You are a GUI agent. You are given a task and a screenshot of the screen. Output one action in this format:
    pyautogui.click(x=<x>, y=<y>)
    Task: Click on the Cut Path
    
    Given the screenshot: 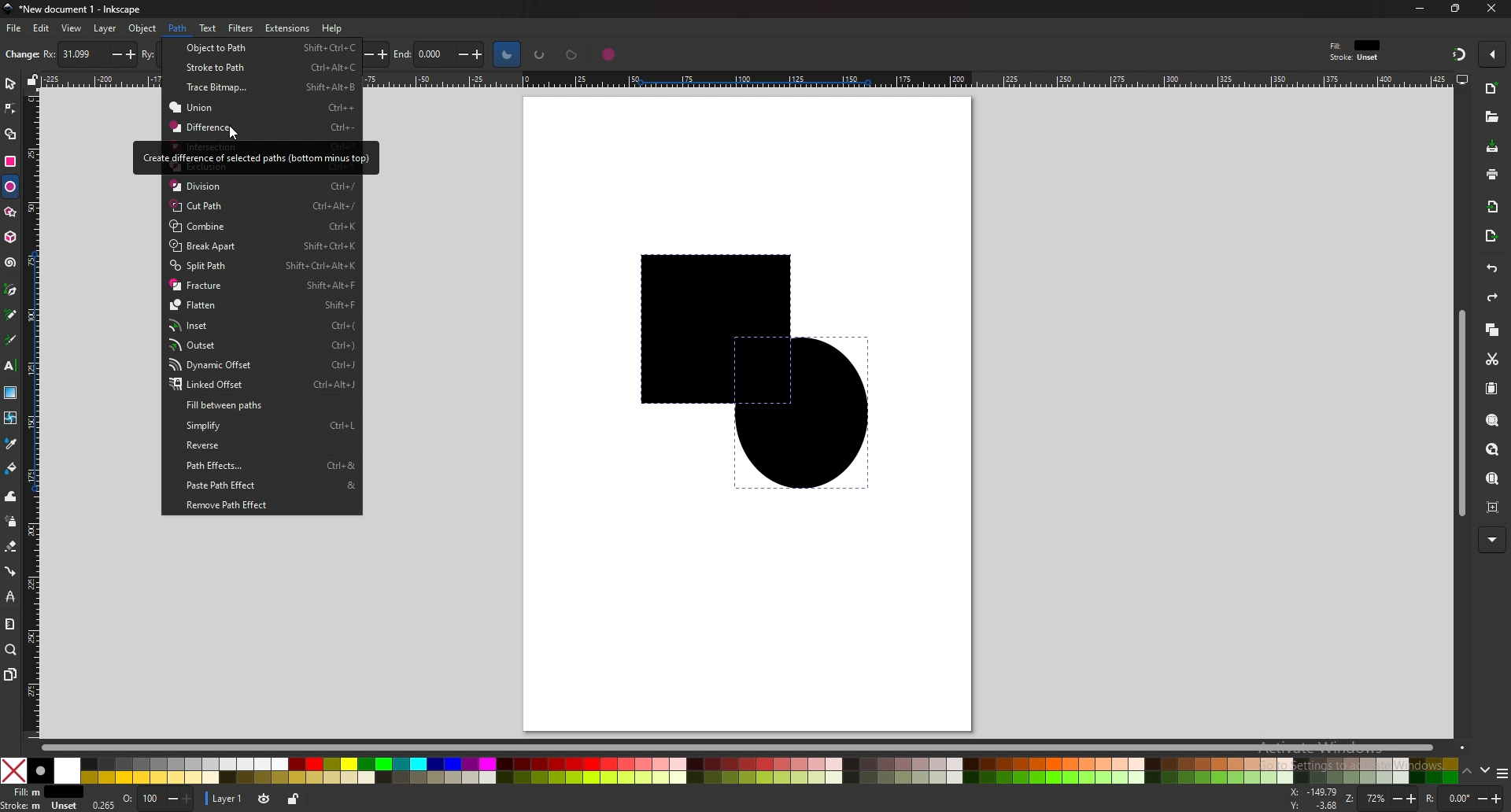 What is the action you would take?
    pyautogui.click(x=263, y=206)
    